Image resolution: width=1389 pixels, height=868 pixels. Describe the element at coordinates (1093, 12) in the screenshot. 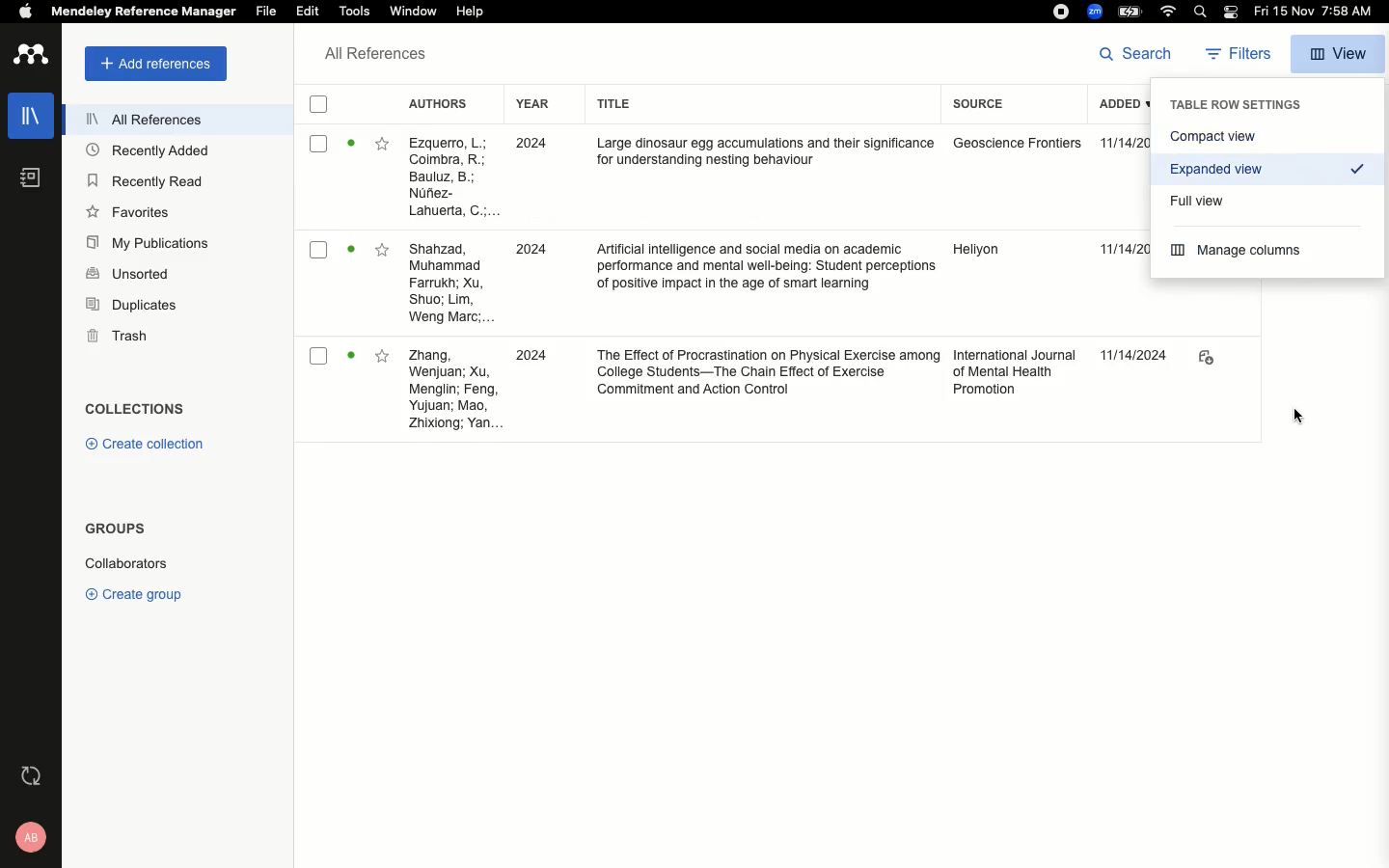

I see `Zoom` at that location.